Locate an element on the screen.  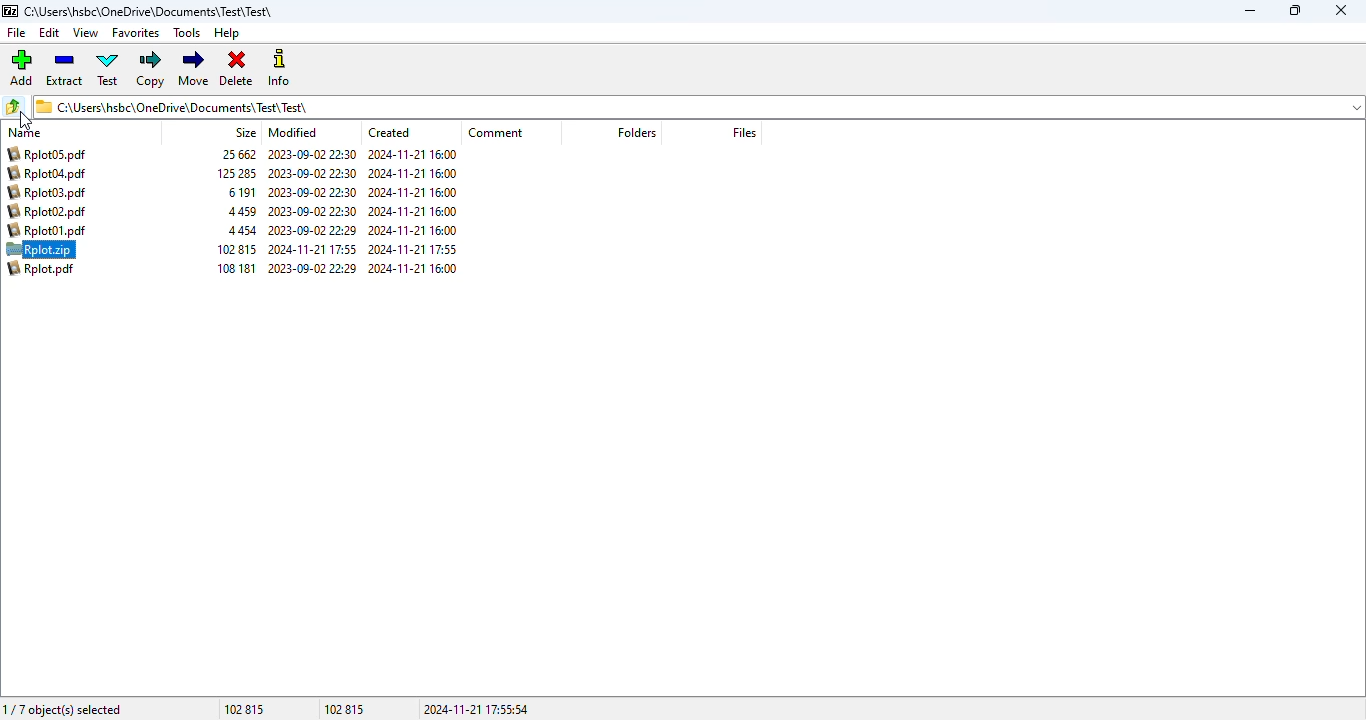
comment is located at coordinates (496, 133).